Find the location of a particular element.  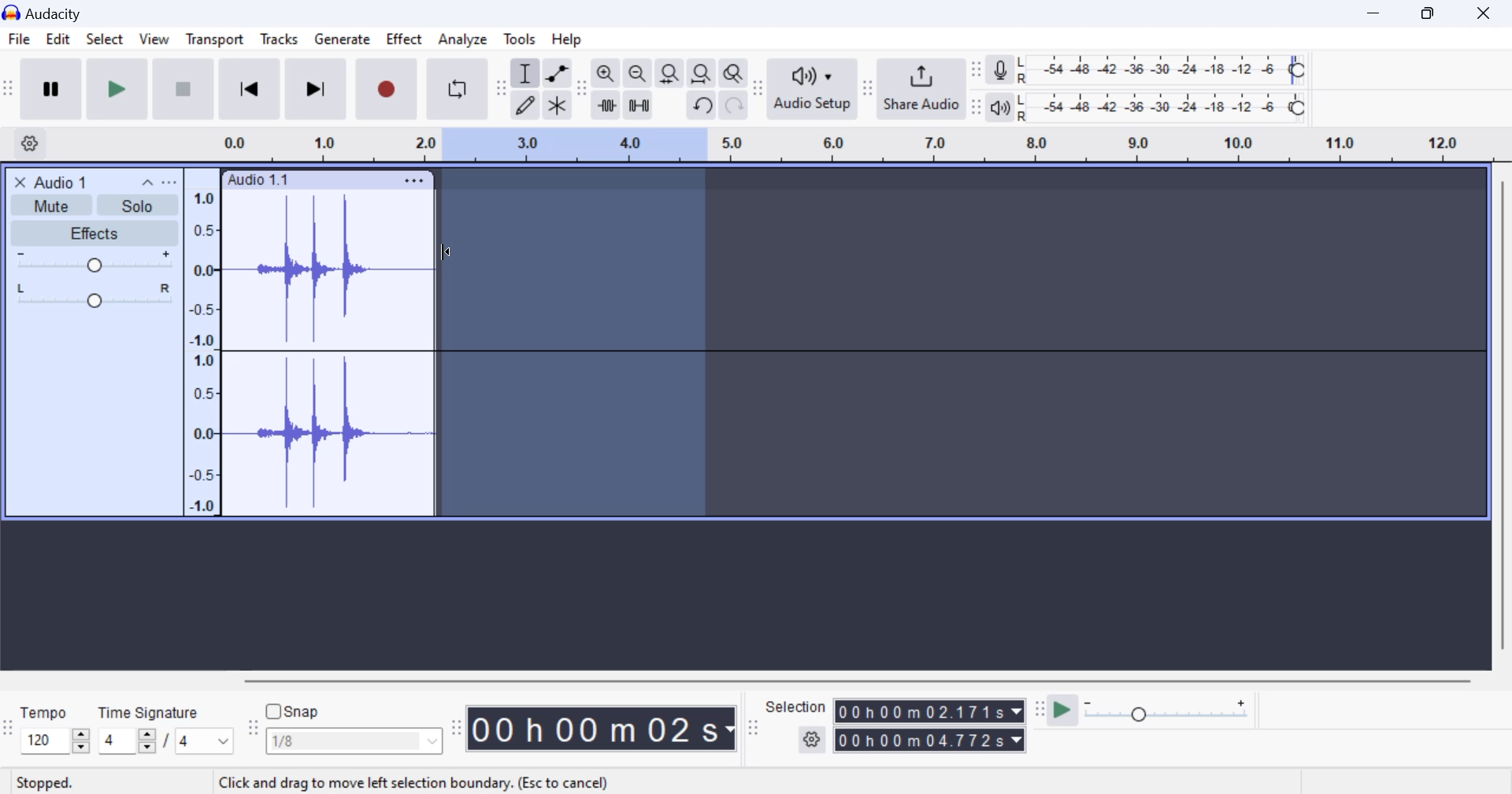

Restore Down is located at coordinates (1376, 13).